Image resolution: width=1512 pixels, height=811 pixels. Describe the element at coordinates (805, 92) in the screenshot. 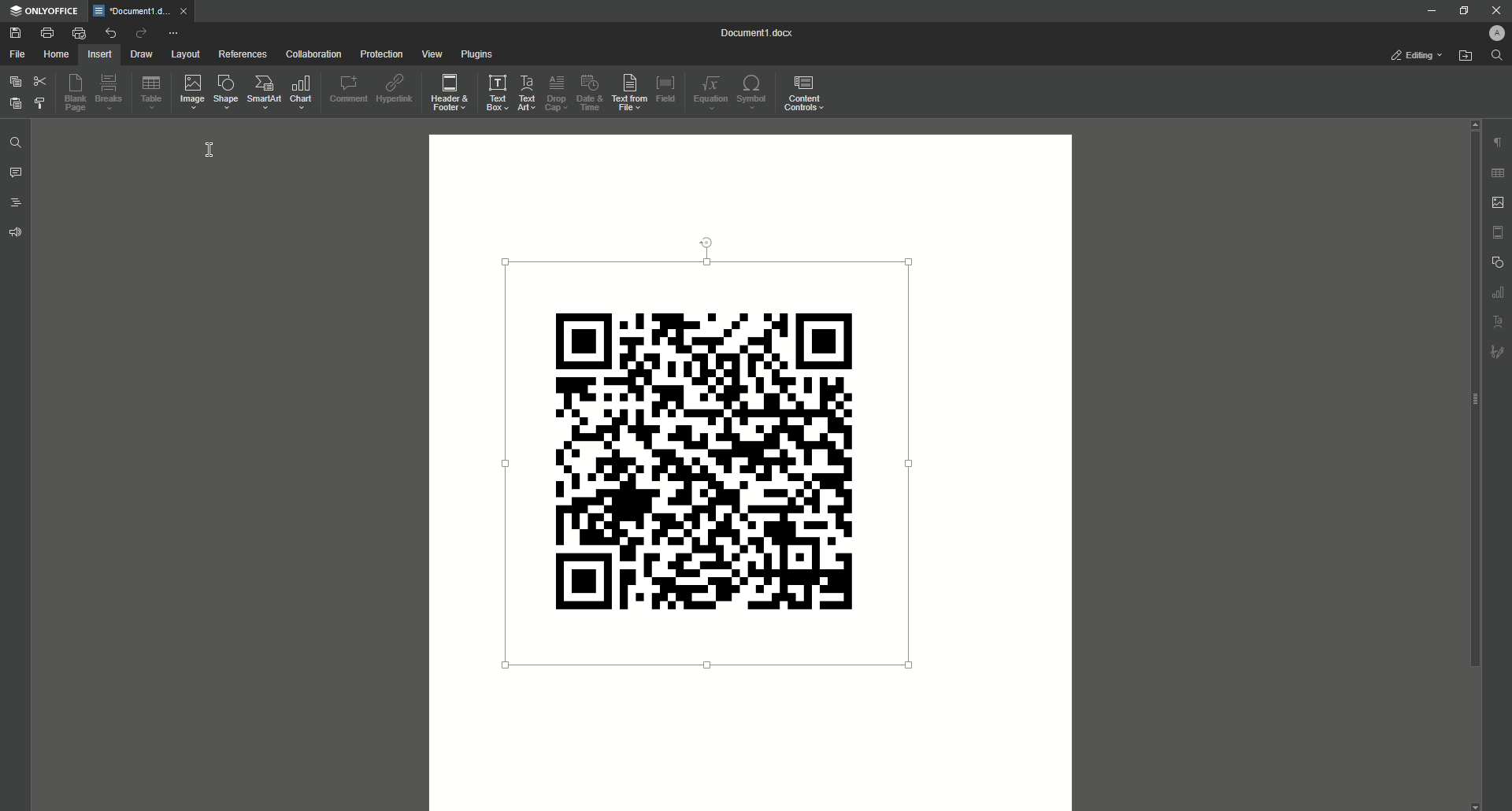

I see `Content Controls` at that location.